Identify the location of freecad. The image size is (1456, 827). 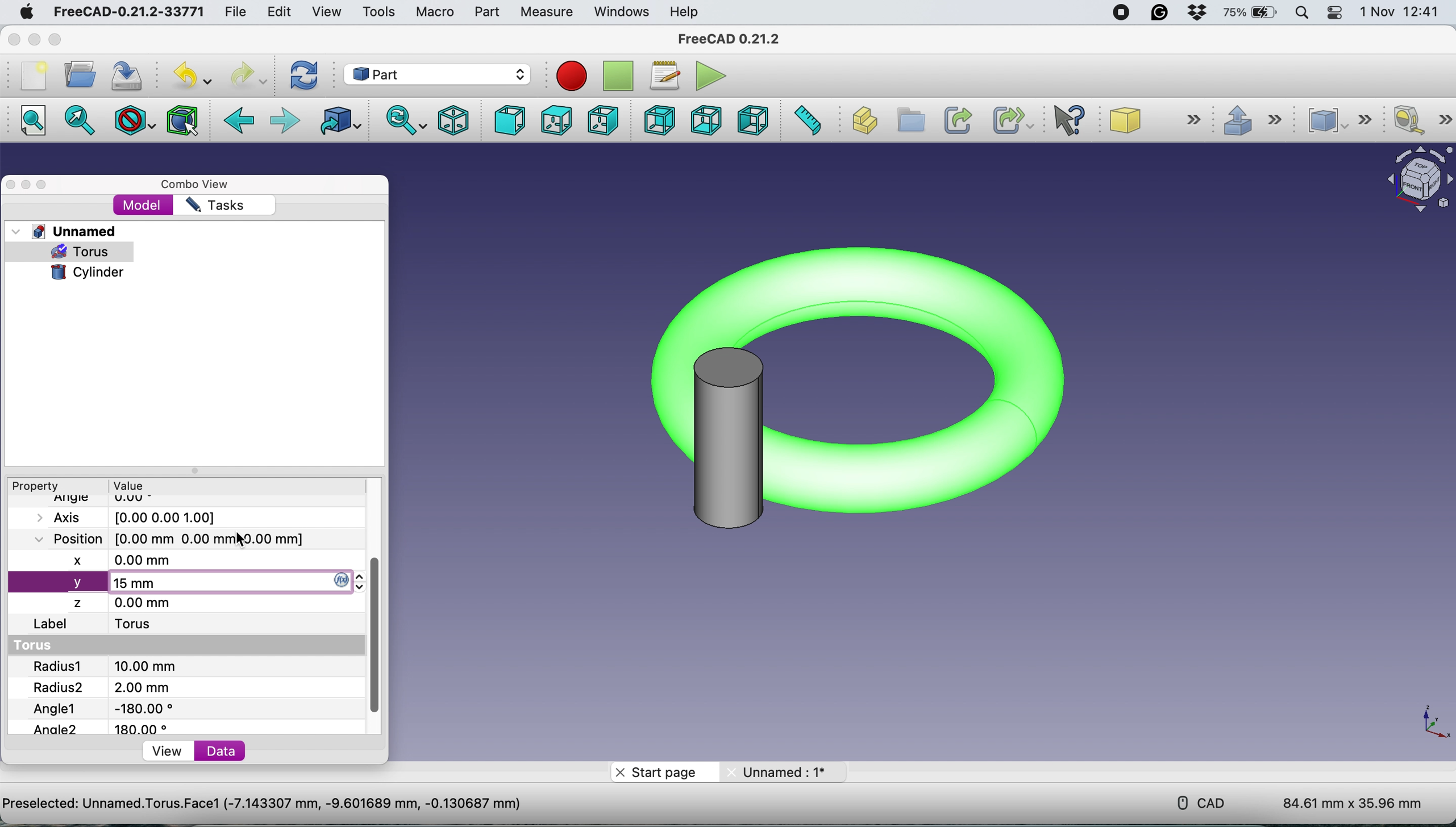
(124, 12).